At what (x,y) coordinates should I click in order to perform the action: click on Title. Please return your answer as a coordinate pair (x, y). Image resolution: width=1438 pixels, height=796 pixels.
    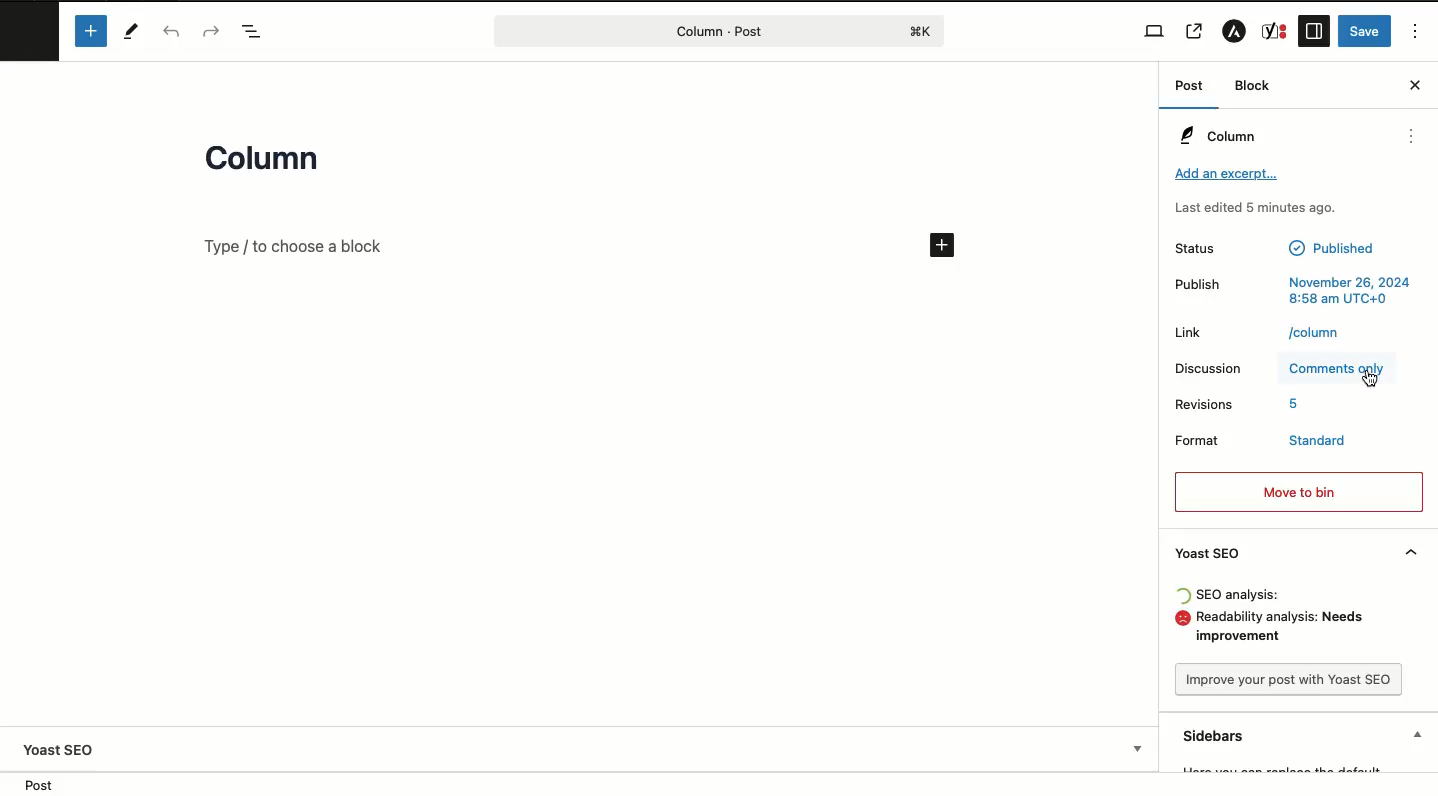
    Looking at the image, I should click on (269, 162).